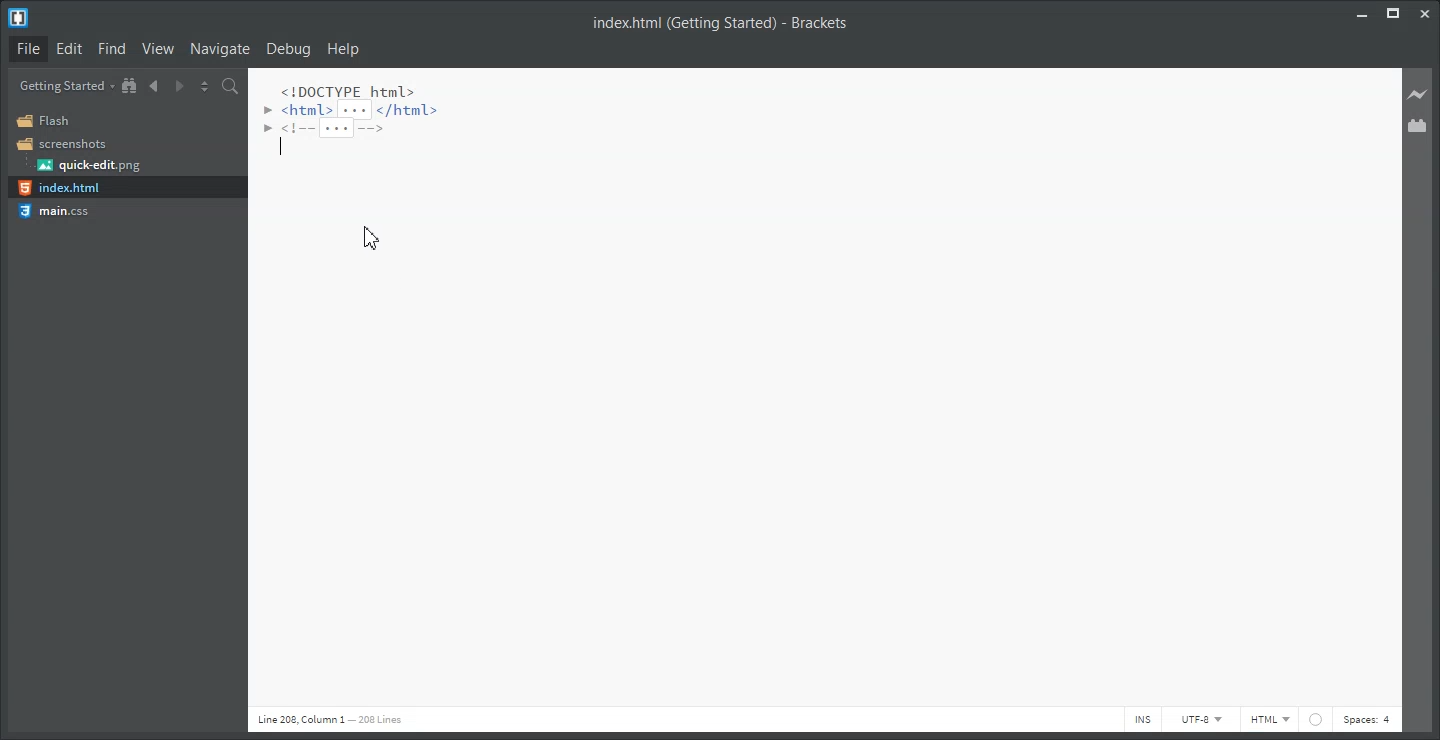 Image resolution: width=1440 pixels, height=740 pixels. I want to click on Text Cursor, so click(281, 146).